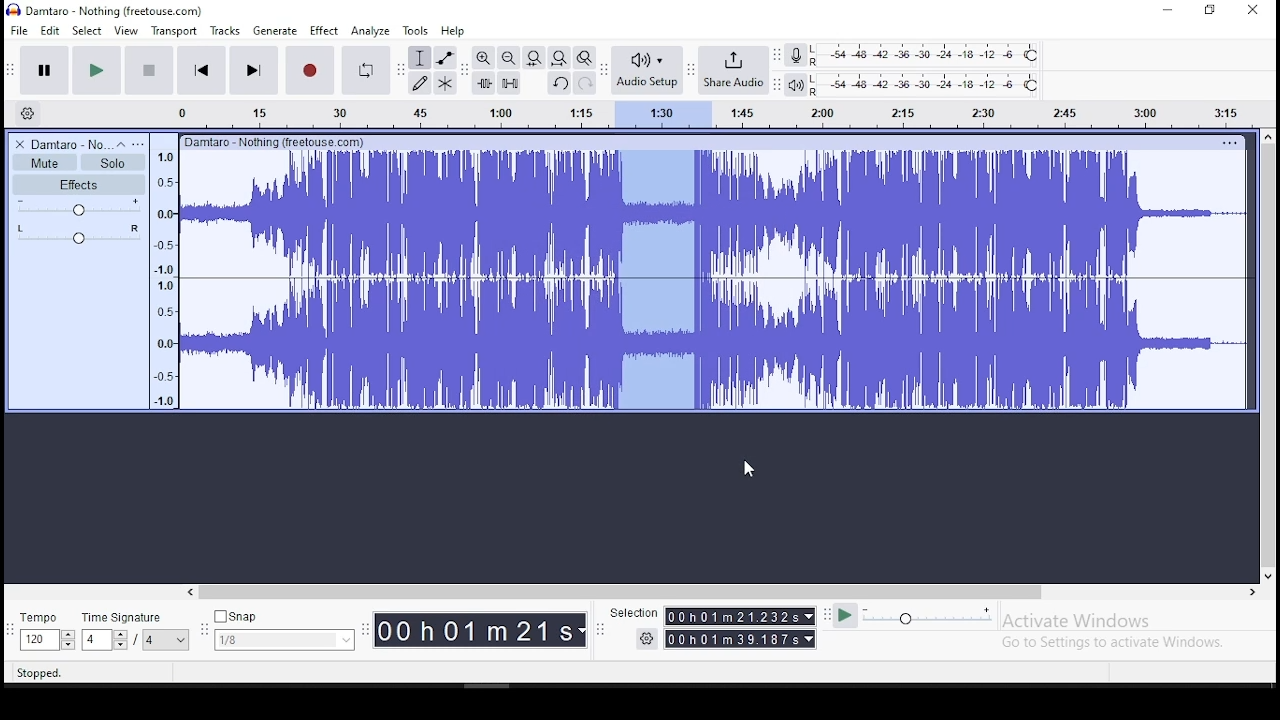 Image resolution: width=1280 pixels, height=720 pixels. Describe the element at coordinates (366, 628) in the screenshot. I see `` at that location.